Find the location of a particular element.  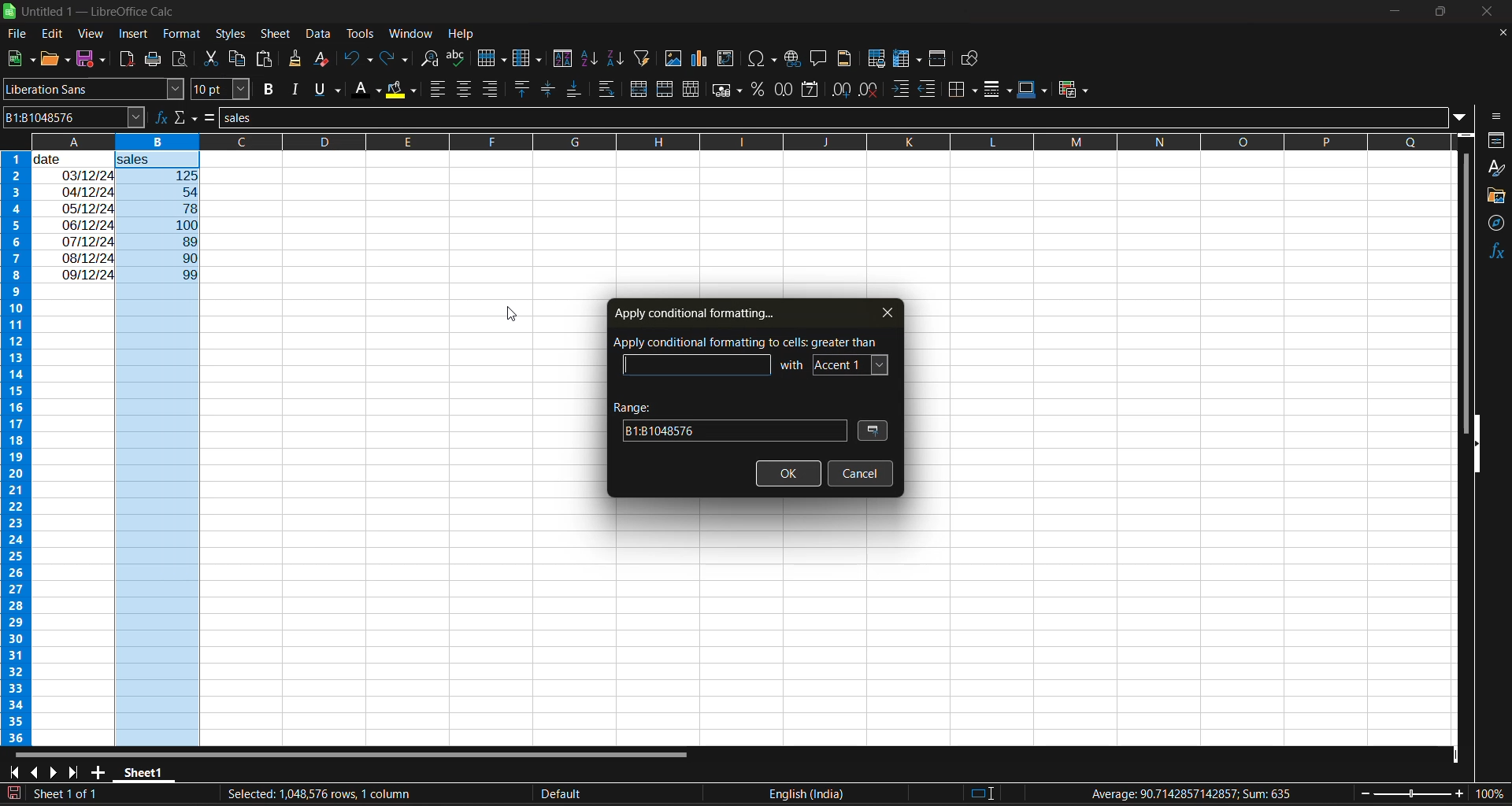

autofill is located at coordinates (647, 58).